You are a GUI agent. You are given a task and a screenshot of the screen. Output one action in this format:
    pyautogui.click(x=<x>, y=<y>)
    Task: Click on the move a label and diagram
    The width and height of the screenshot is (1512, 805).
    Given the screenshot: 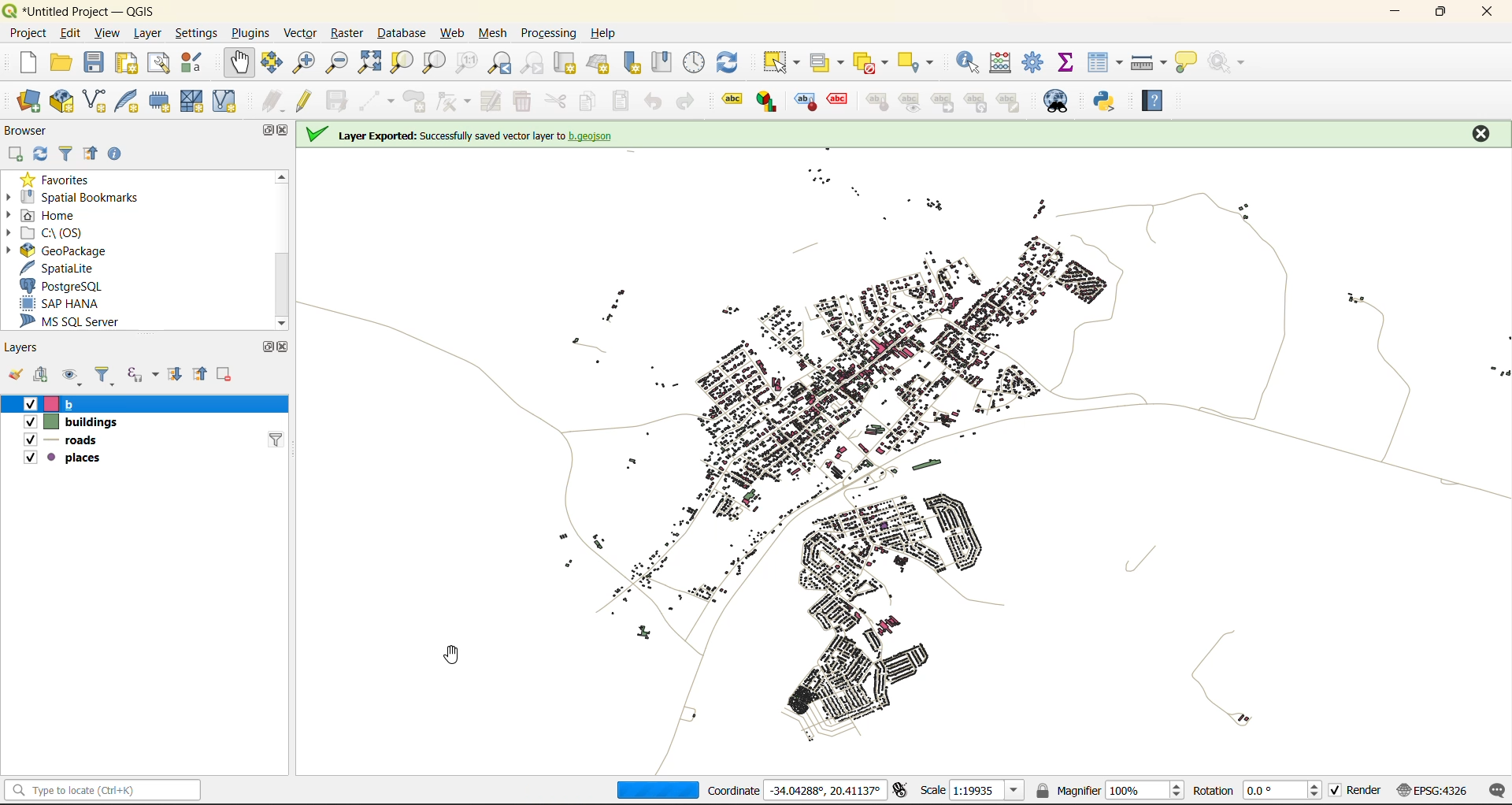 What is the action you would take?
    pyautogui.click(x=939, y=103)
    